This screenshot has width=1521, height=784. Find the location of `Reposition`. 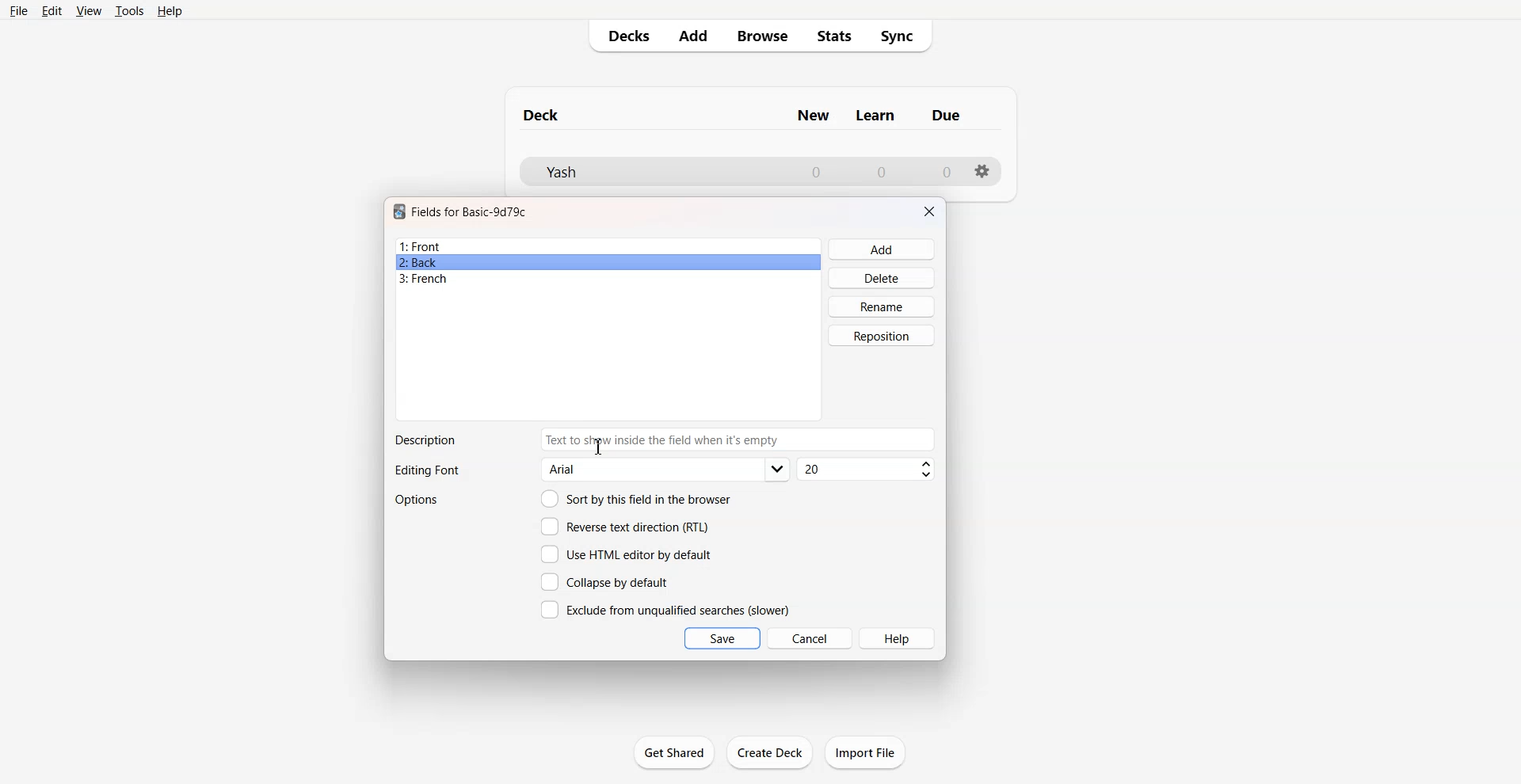

Reposition is located at coordinates (882, 336).